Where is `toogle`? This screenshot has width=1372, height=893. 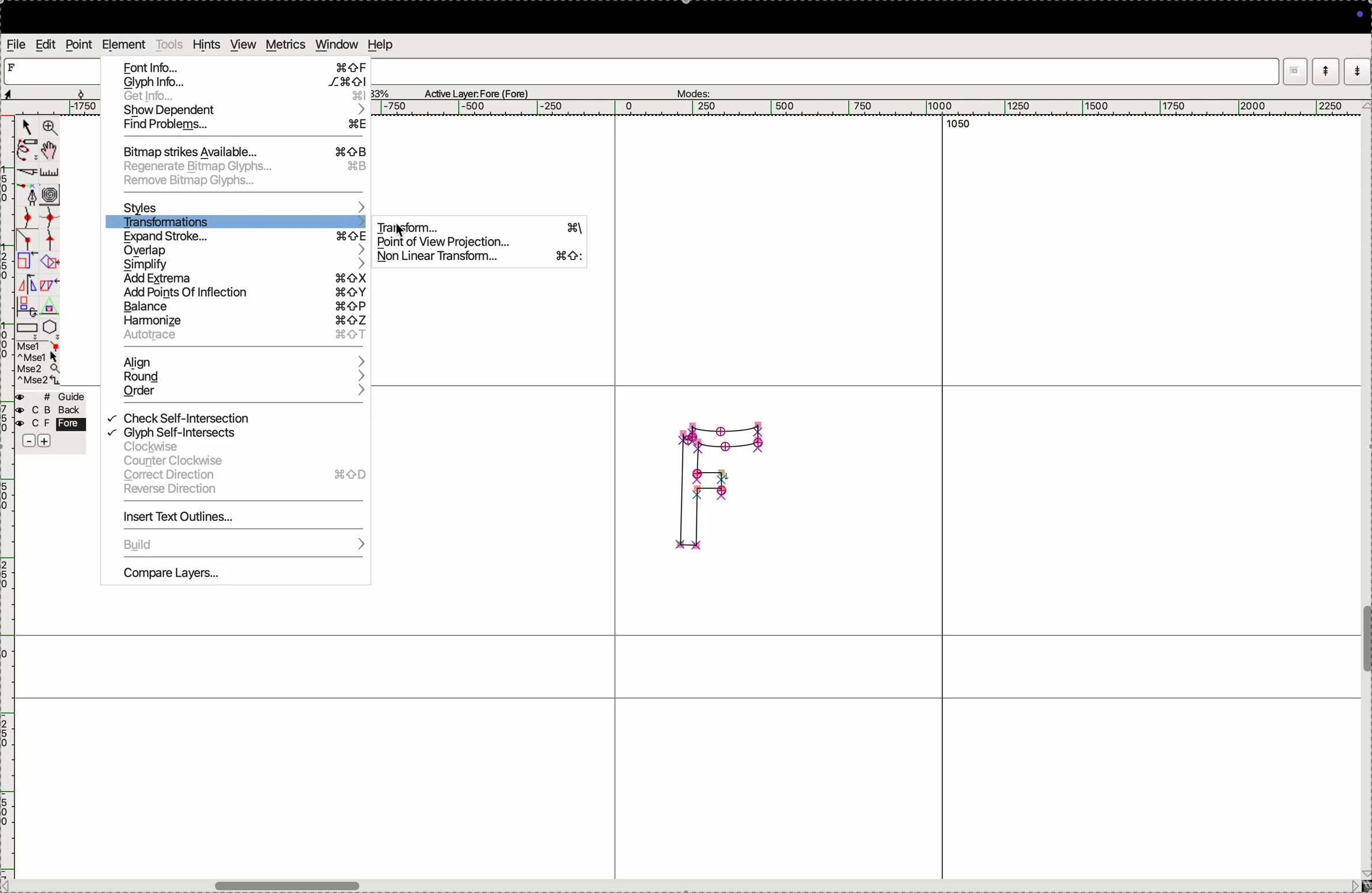
toogle is located at coordinates (1366, 643).